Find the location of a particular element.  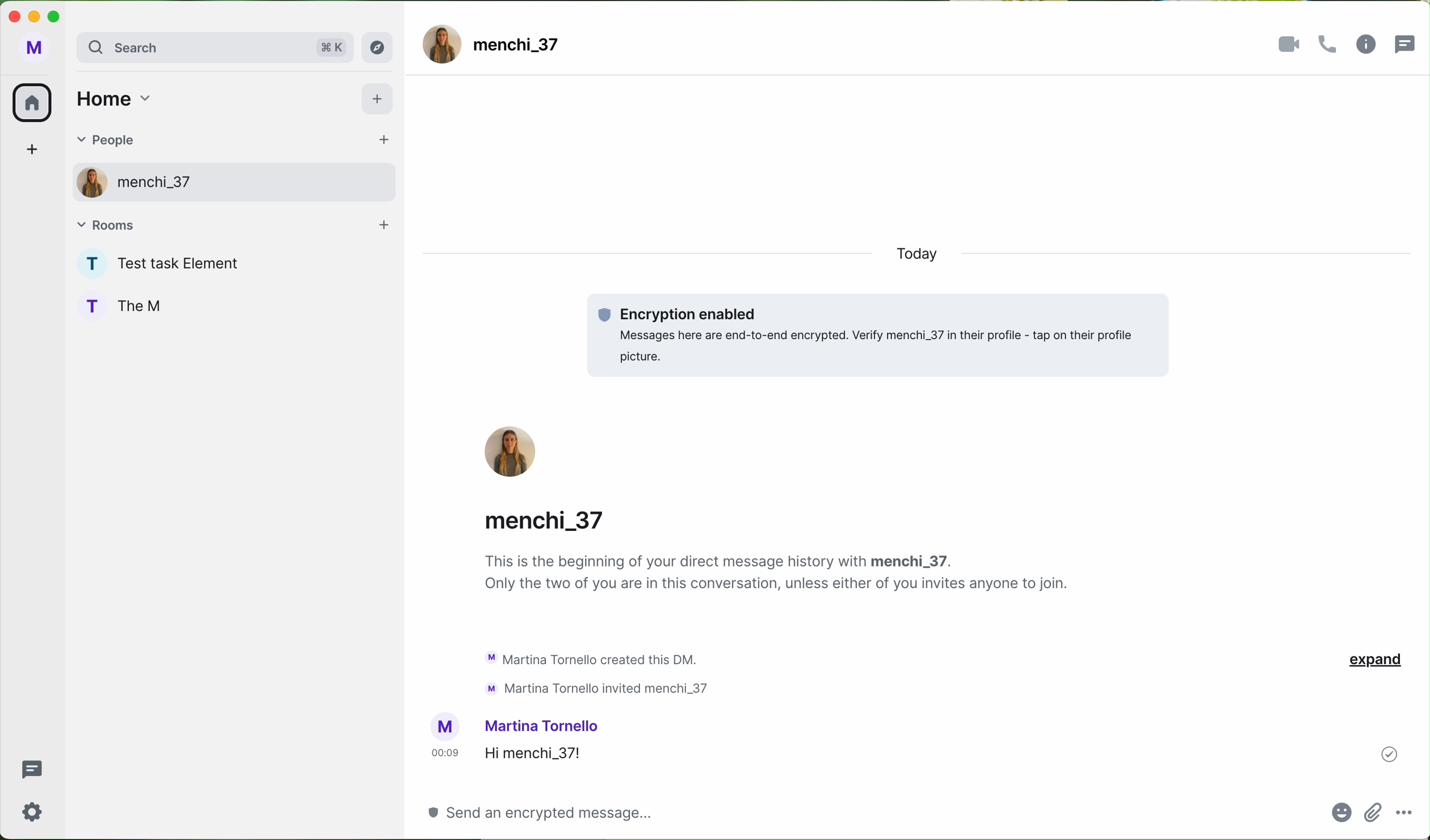

activity chat is located at coordinates (600, 657).